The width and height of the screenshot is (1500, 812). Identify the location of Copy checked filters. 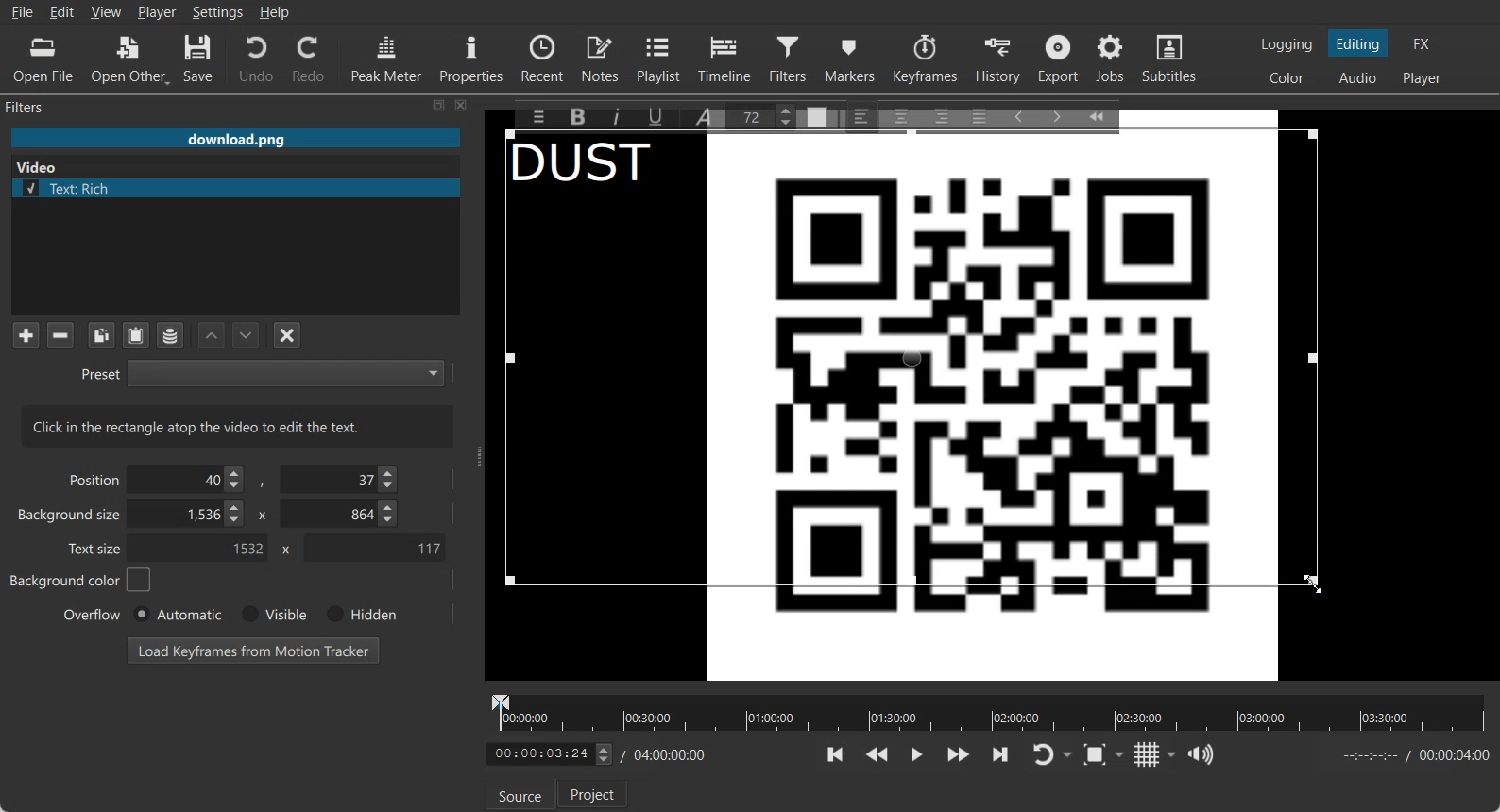
(101, 335).